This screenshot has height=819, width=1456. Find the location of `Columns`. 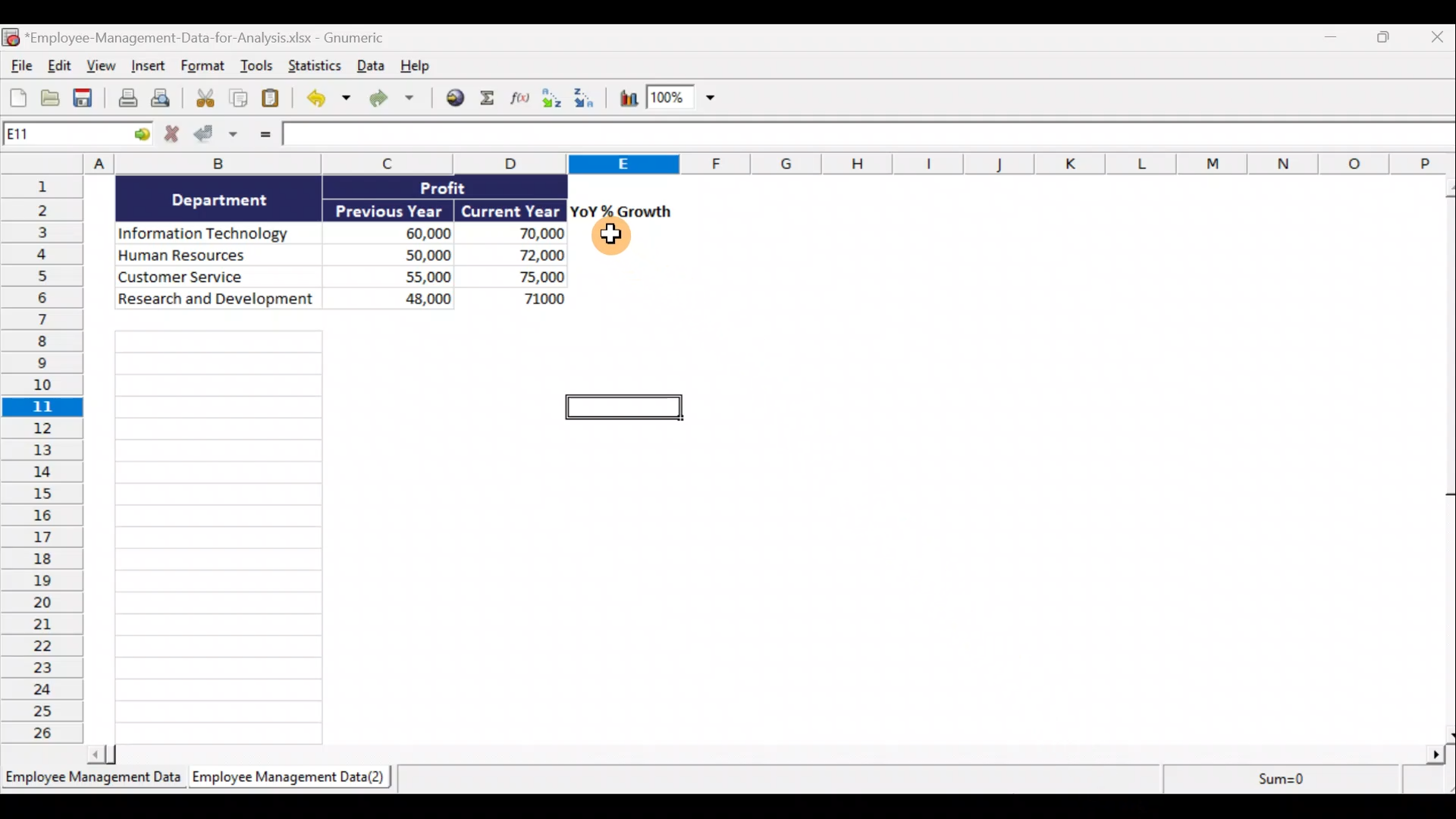

Columns is located at coordinates (728, 164).